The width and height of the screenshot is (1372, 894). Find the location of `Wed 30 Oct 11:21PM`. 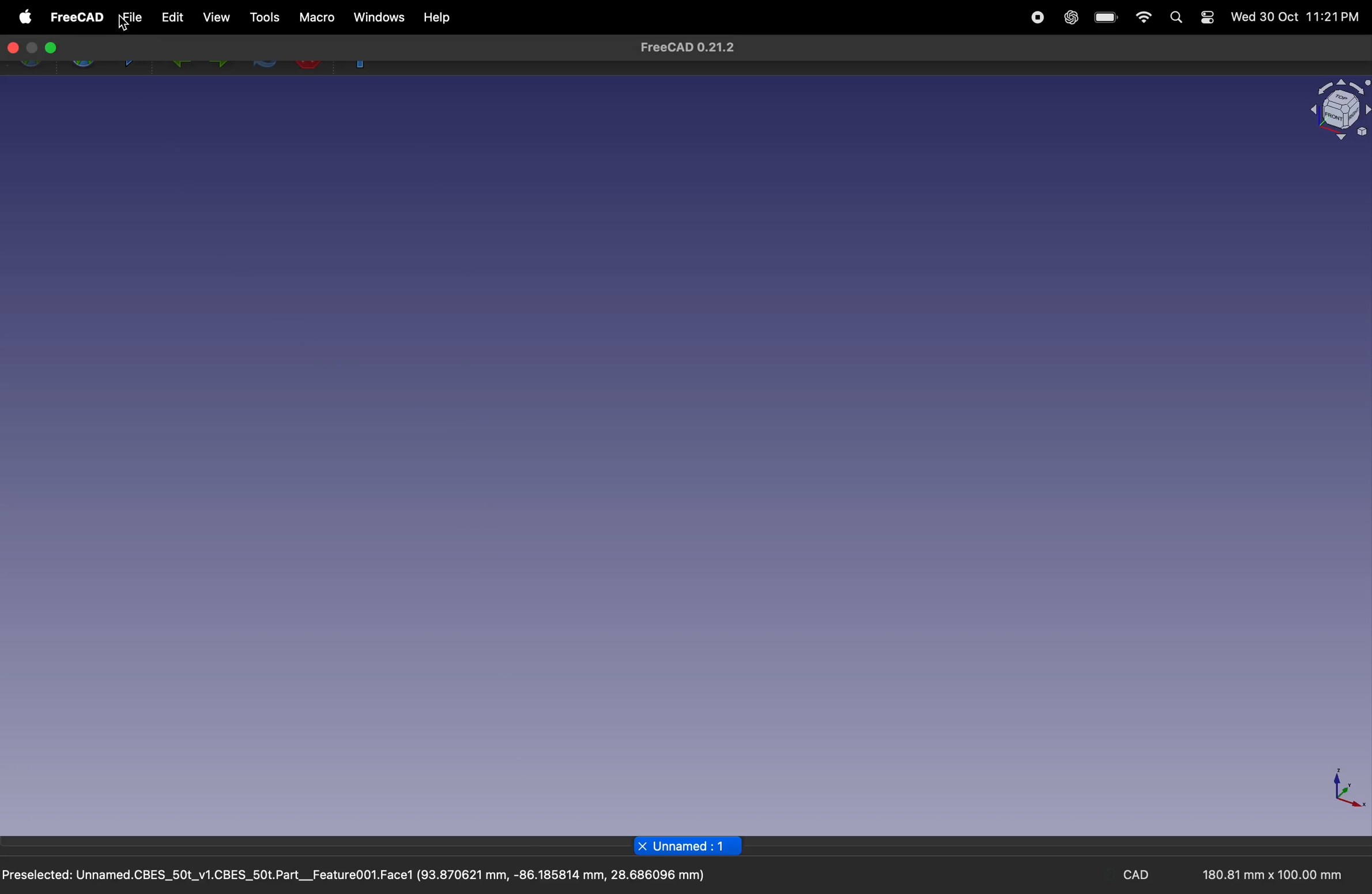

Wed 30 Oct 11:21PM is located at coordinates (1295, 17).